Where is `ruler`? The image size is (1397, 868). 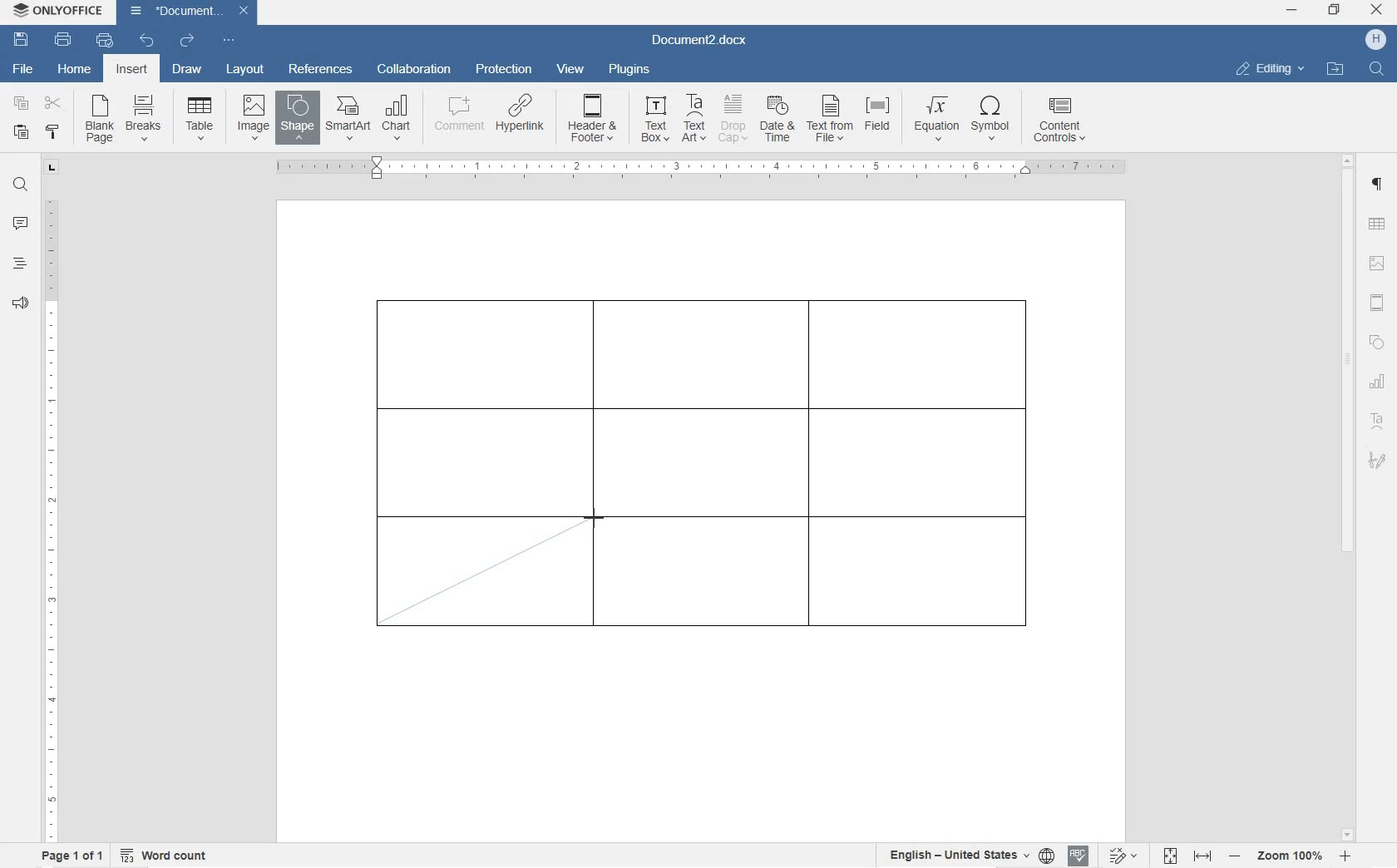 ruler is located at coordinates (51, 515).